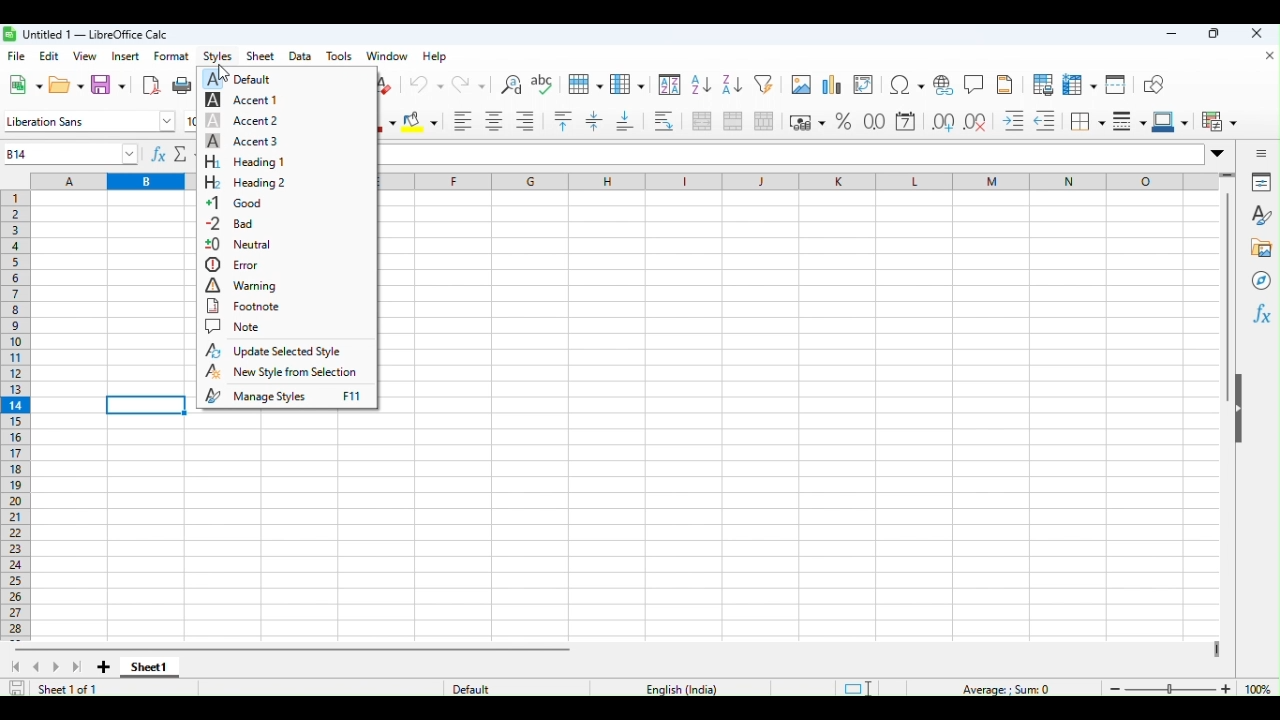  I want to click on Fx, so click(1261, 313).